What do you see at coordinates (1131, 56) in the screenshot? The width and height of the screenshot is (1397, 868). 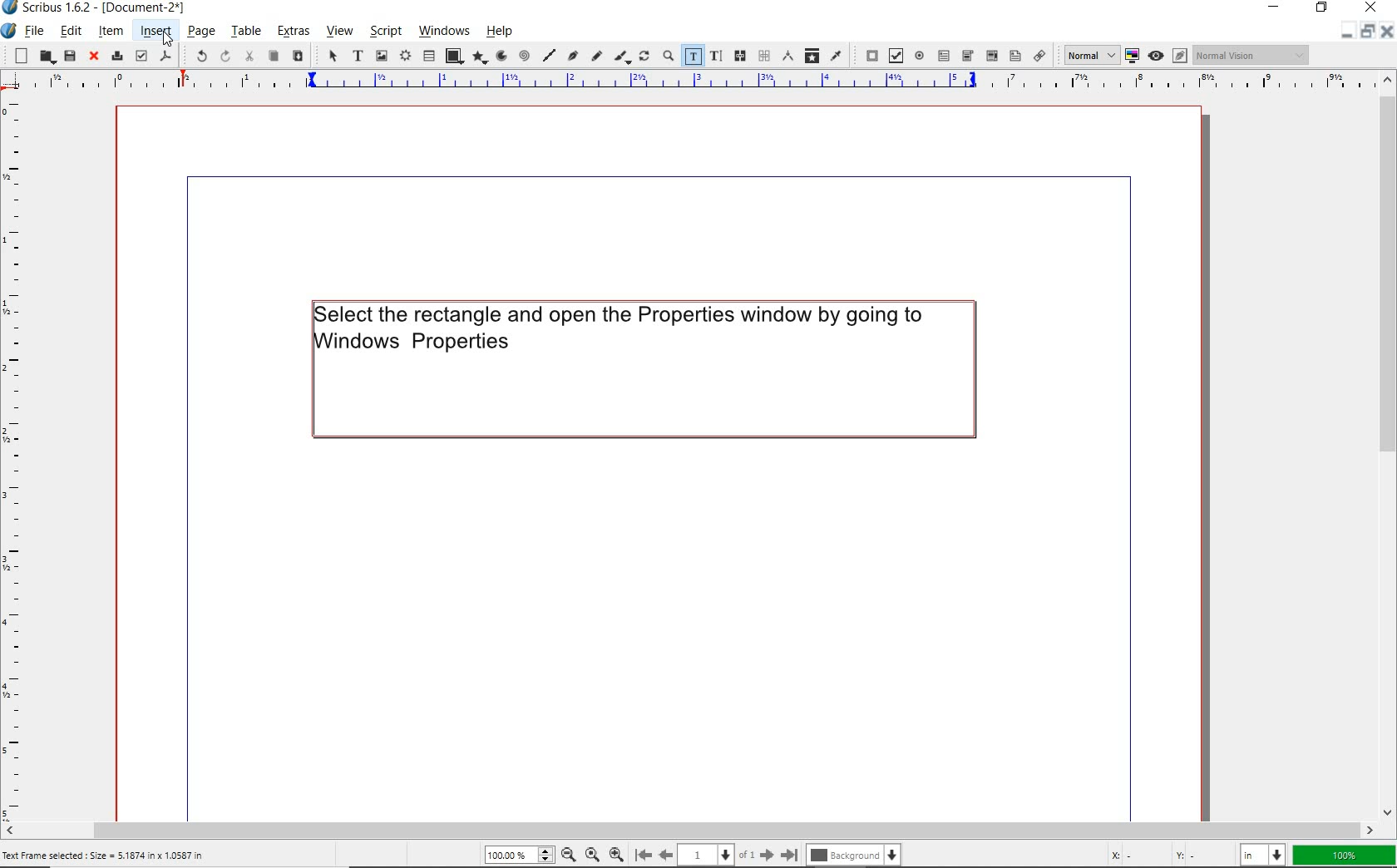 I see `toggle color` at bounding box center [1131, 56].